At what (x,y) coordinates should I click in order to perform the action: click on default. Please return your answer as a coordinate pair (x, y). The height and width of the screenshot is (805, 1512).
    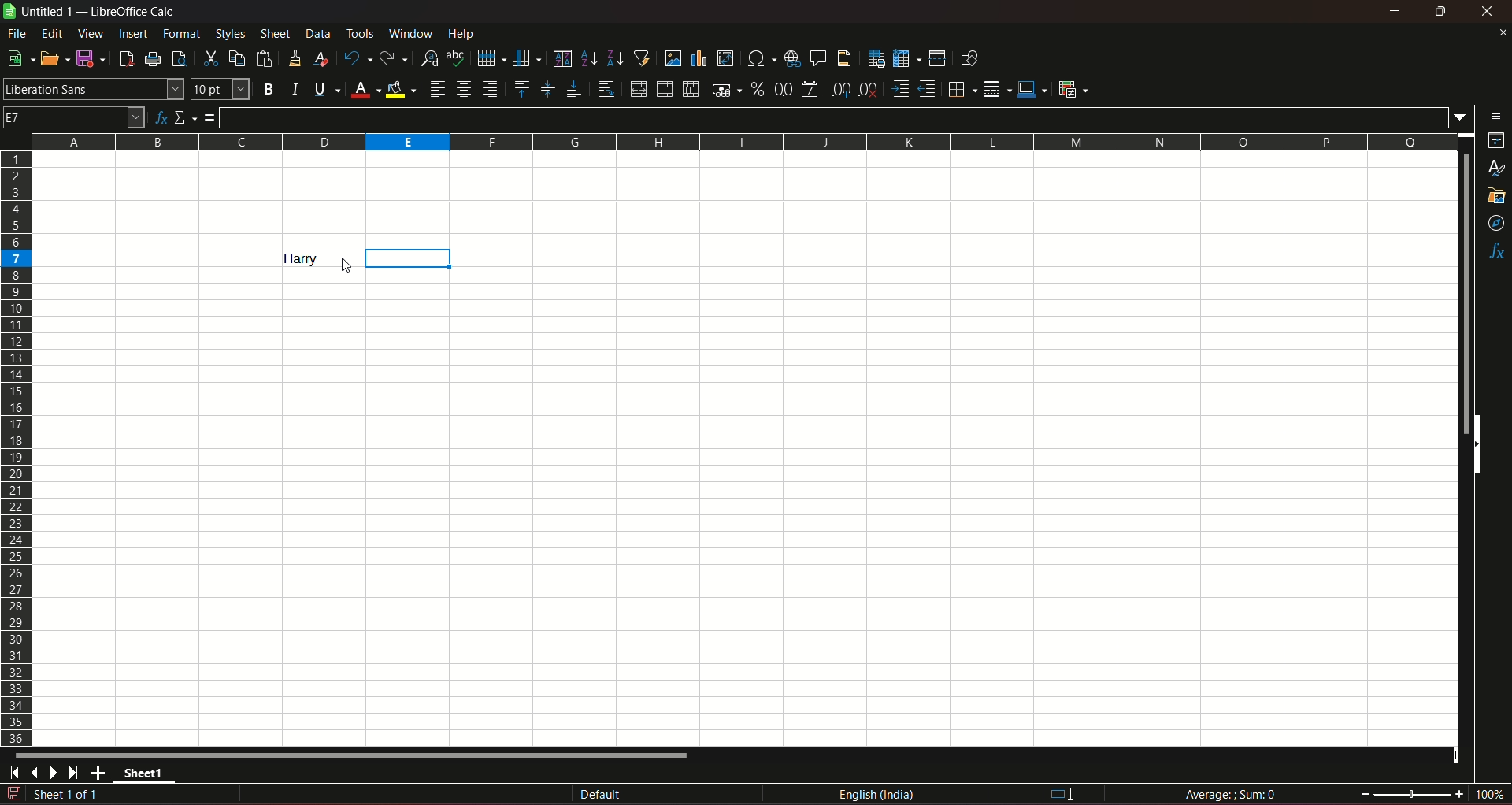
    Looking at the image, I should click on (601, 796).